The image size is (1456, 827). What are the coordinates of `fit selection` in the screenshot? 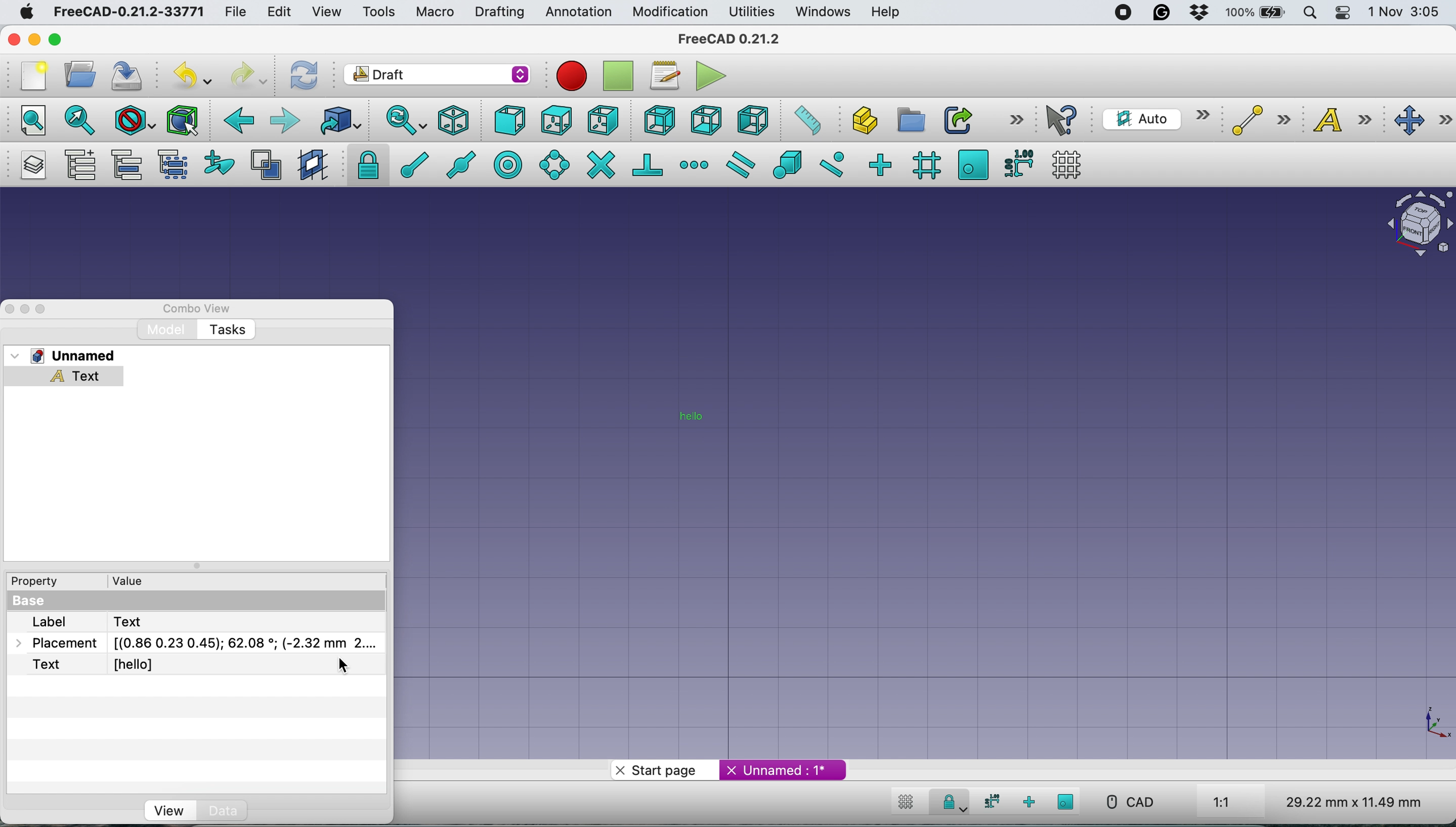 It's located at (81, 120).